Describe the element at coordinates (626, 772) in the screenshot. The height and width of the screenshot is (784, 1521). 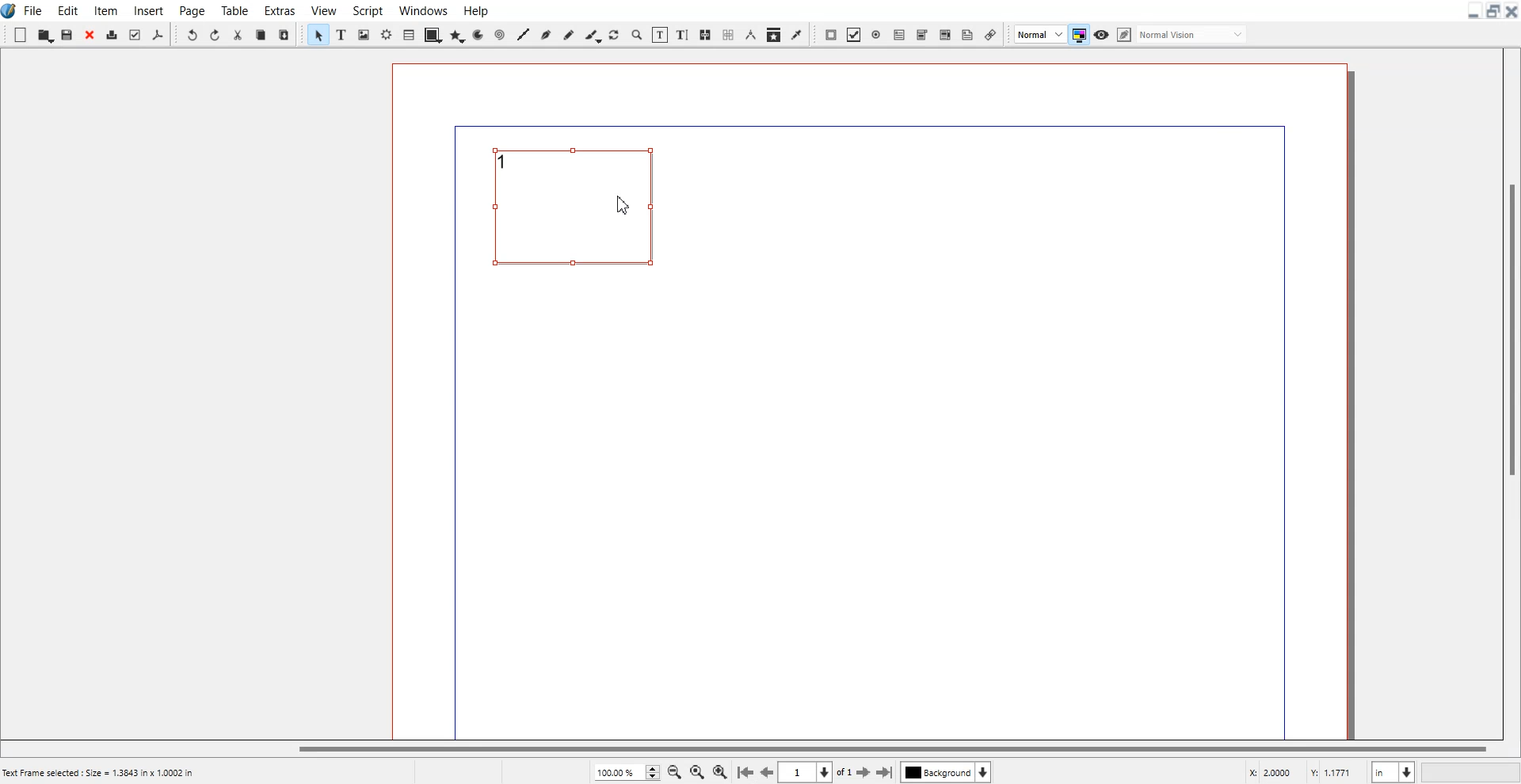
I see `Zoom Adjustment` at that location.